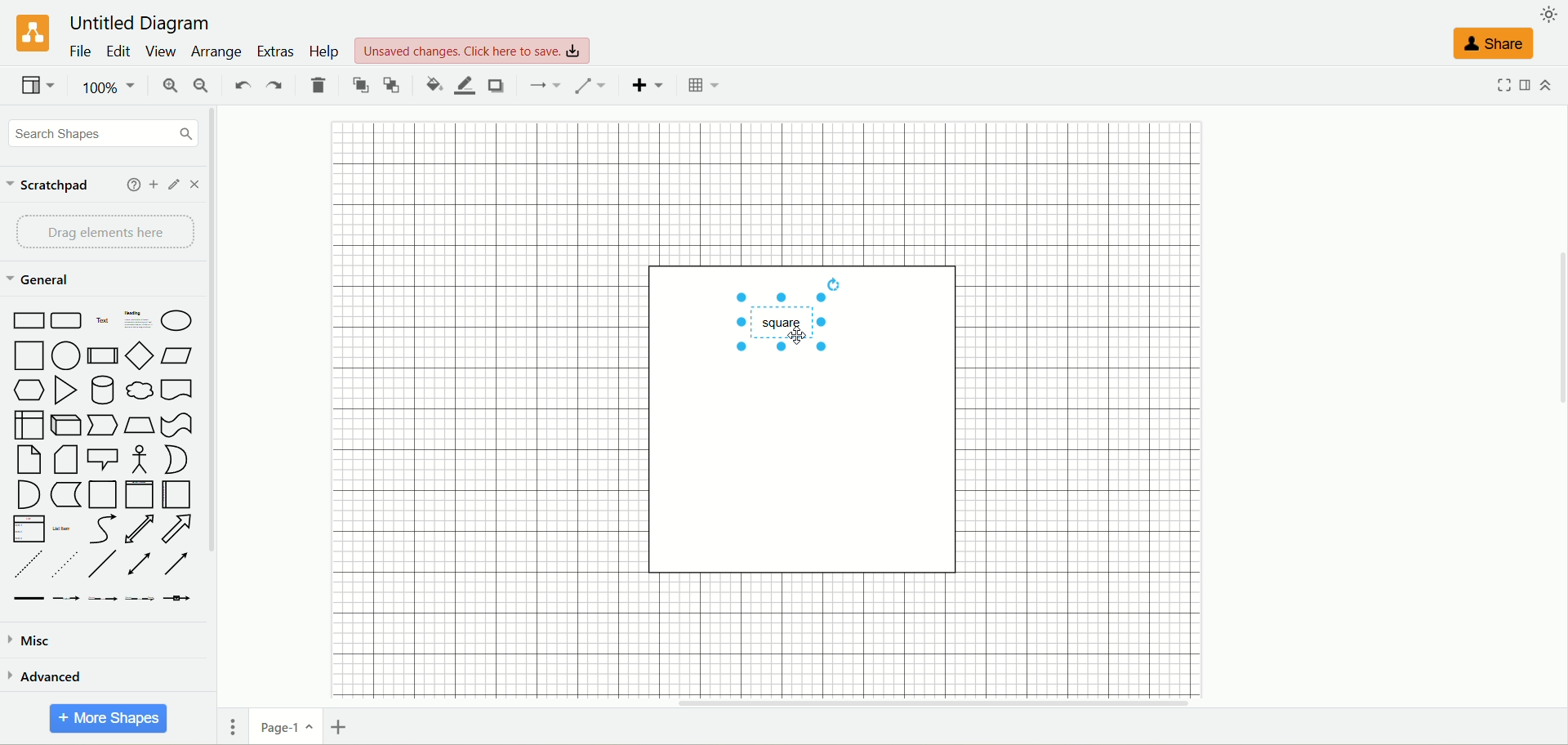 The image size is (1568, 745). What do you see at coordinates (105, 233) in the screenshot?
I see `drag element` at bounding box center [105, 233].